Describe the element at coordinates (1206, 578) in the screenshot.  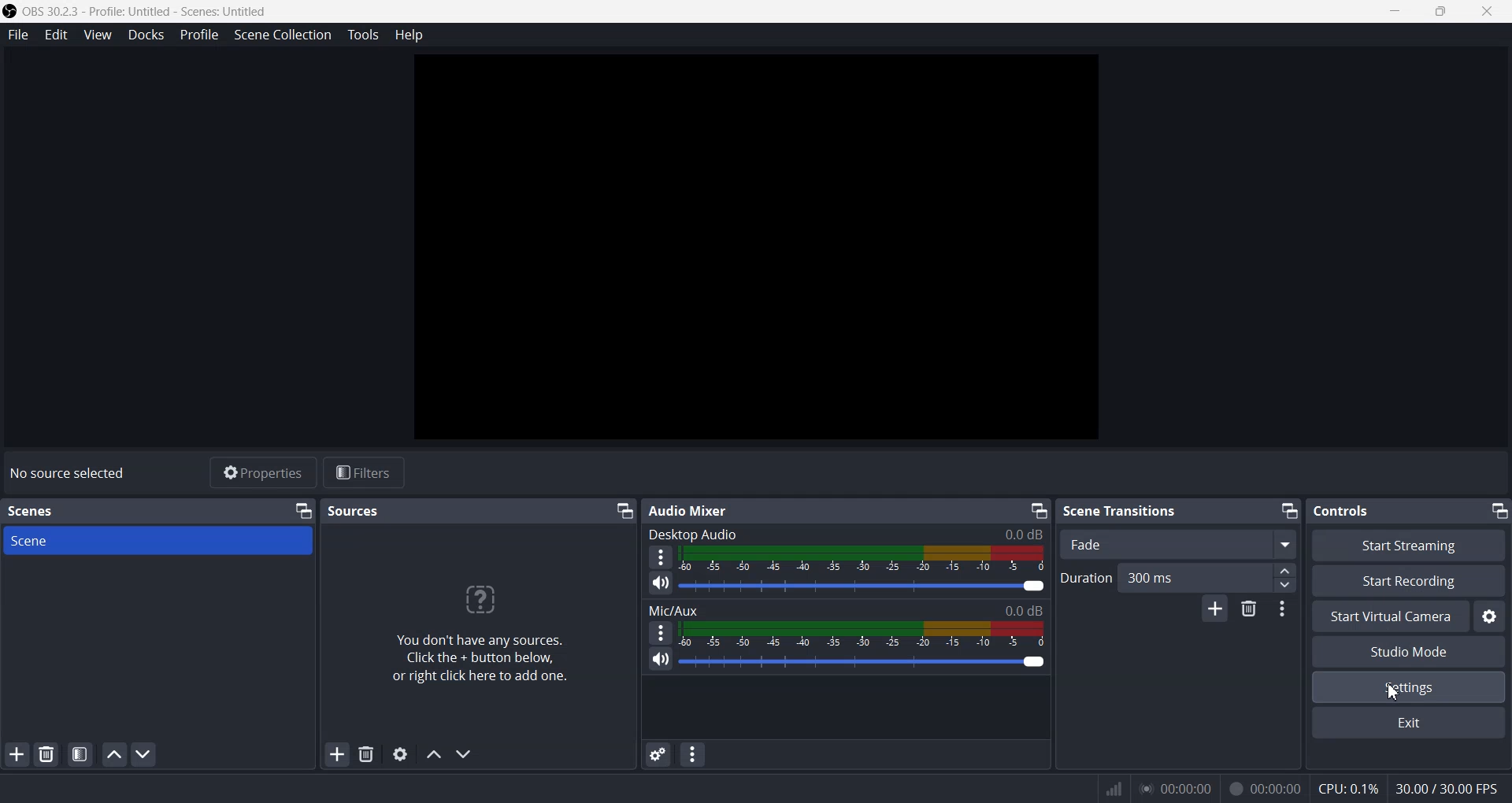
I see `300 ms` at that location.